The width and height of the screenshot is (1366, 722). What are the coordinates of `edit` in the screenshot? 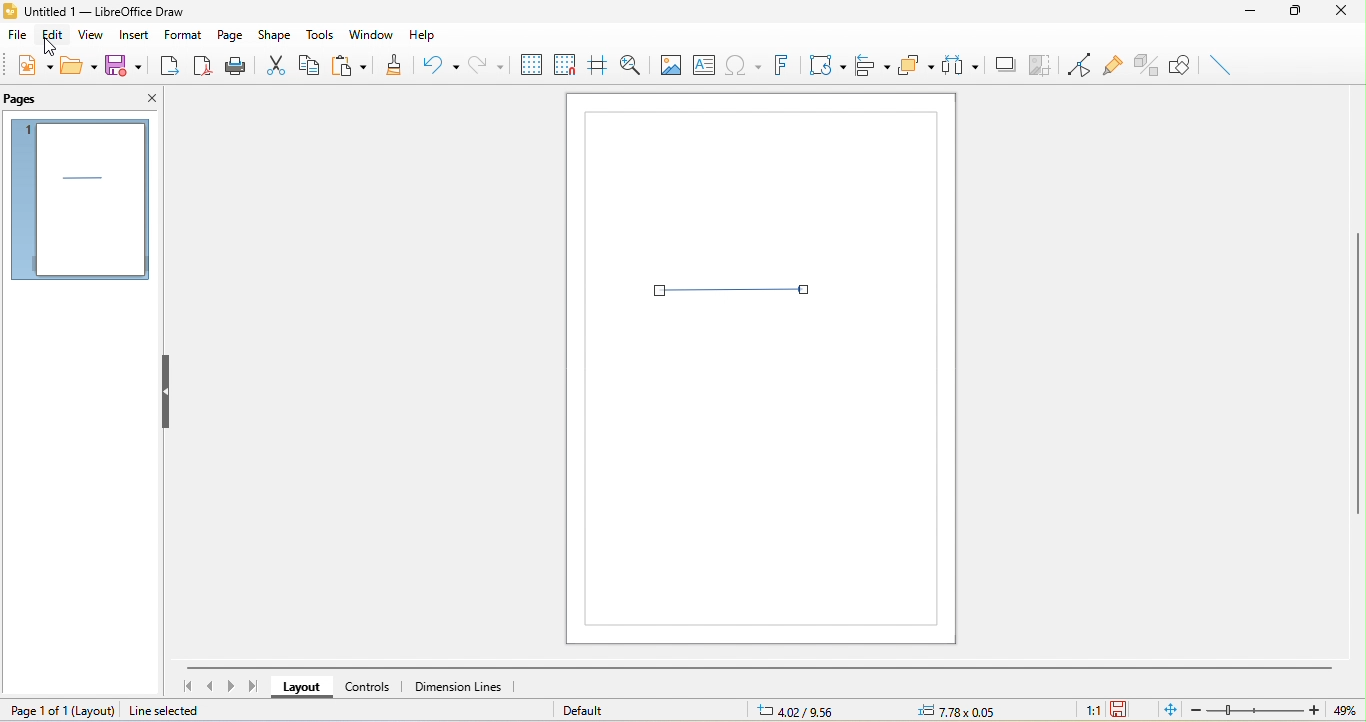 It's located at (53, 35).